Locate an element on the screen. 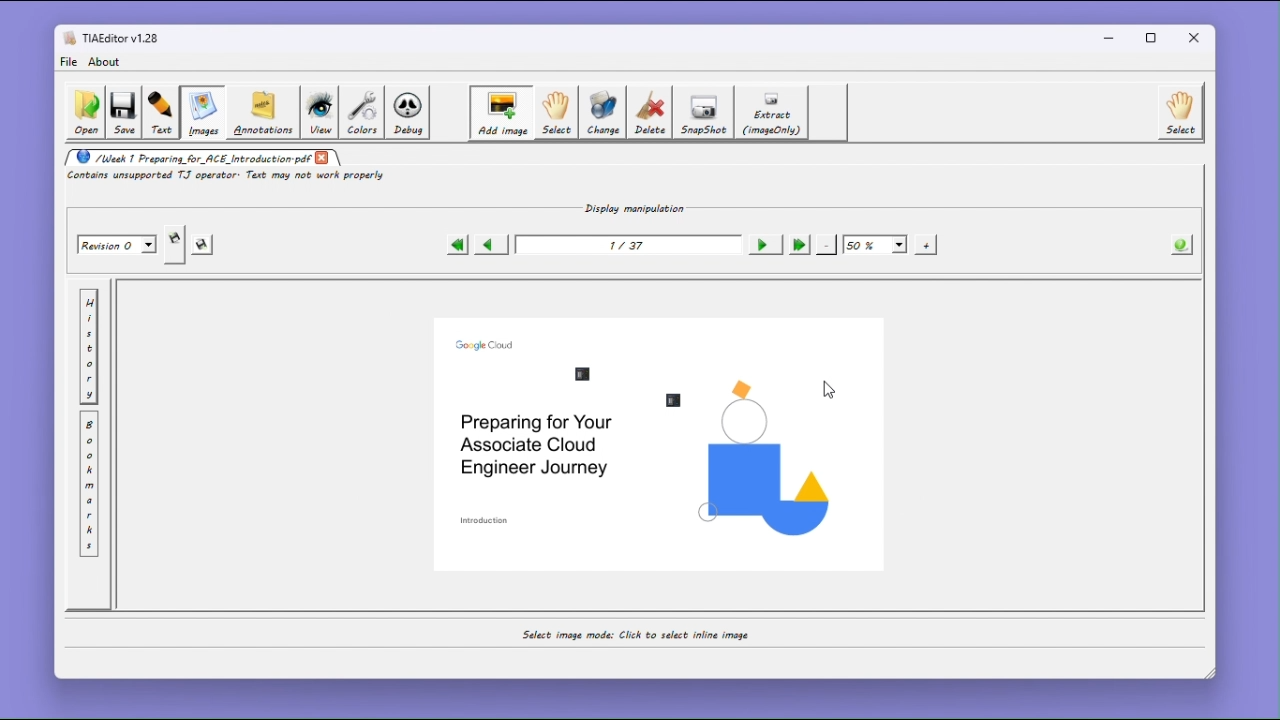  History is located at coordinates (89, 347).